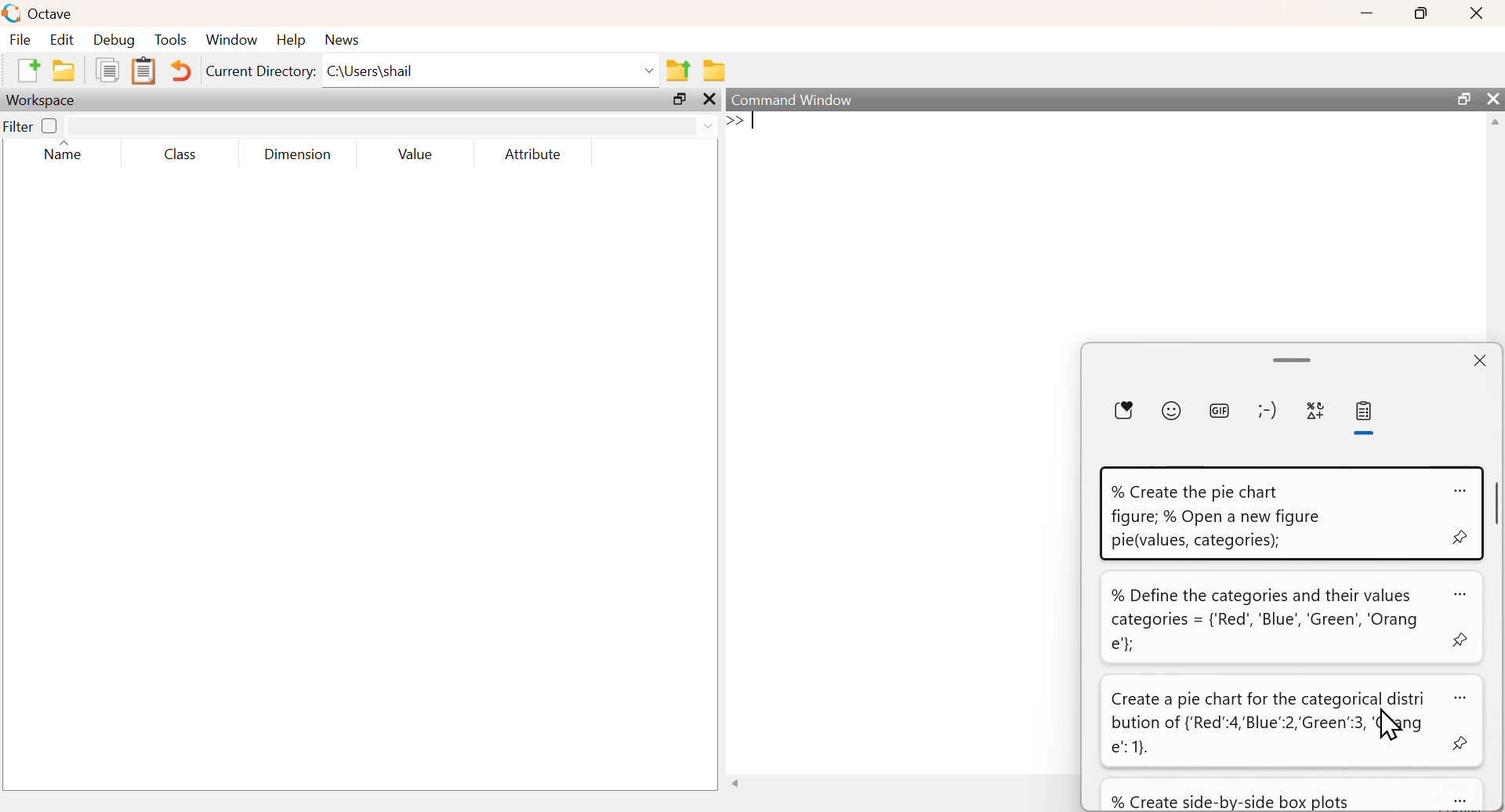 Image resolution: width=1505 pixels, height=812 pixels. Describe the element at coordinates (679, 71) in the screenshot. I see `Previous Folder` at that location.